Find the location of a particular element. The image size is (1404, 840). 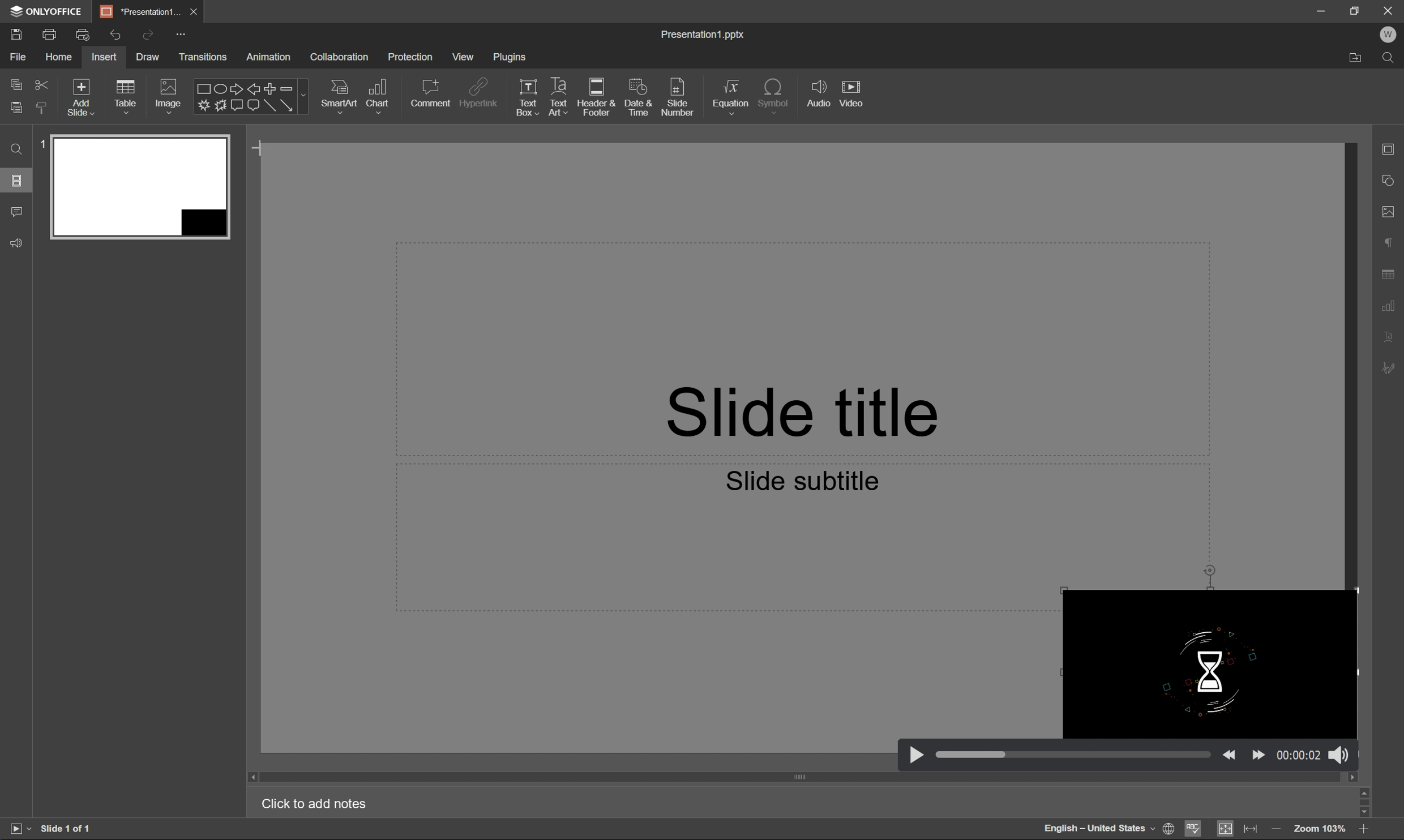

Feedback & support is located at coordinates (19, 242).